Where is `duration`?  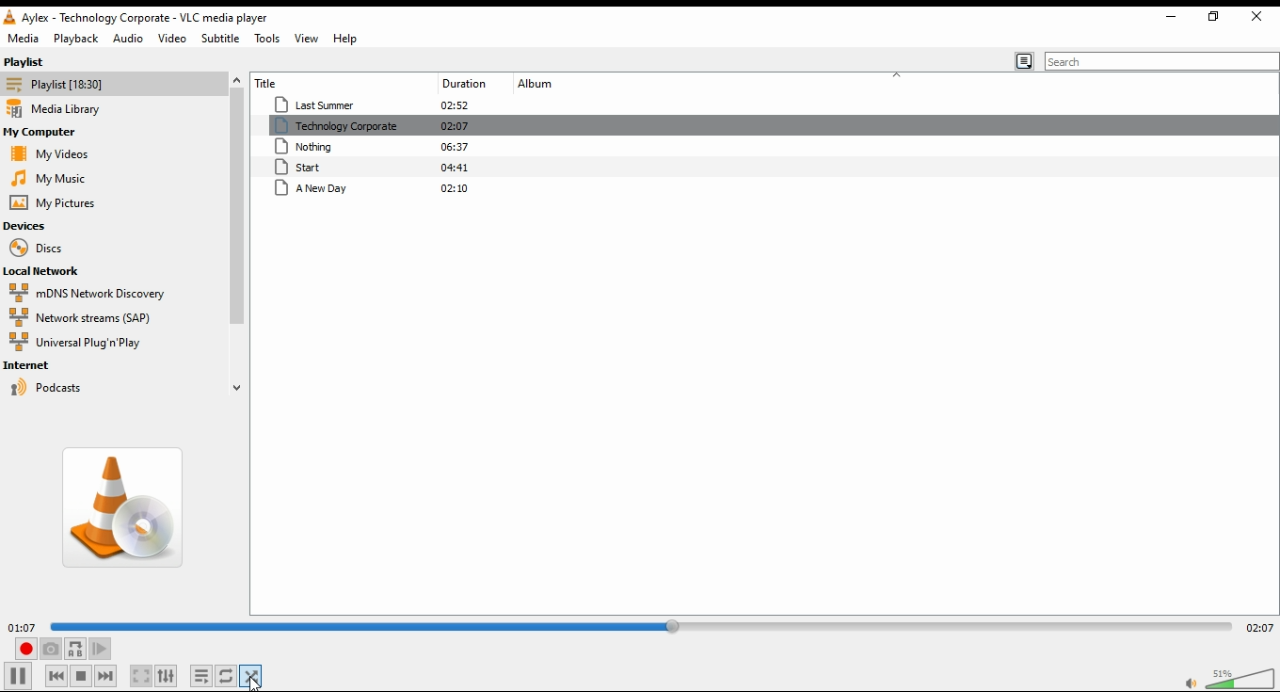 duration is located at coordinates (465, 83).